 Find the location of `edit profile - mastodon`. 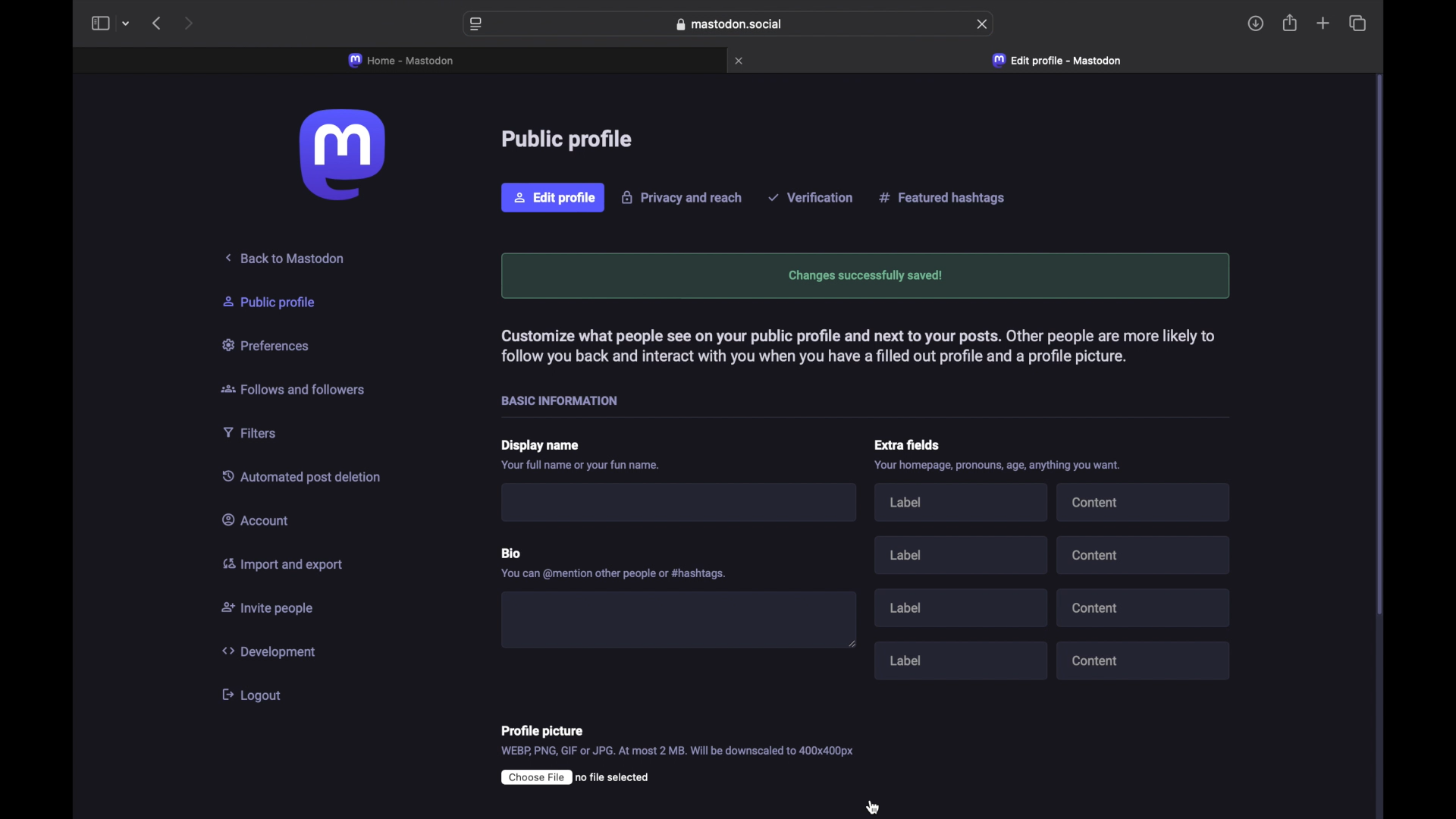

edit profile - mastodon is located at coordinates (1059, 61).